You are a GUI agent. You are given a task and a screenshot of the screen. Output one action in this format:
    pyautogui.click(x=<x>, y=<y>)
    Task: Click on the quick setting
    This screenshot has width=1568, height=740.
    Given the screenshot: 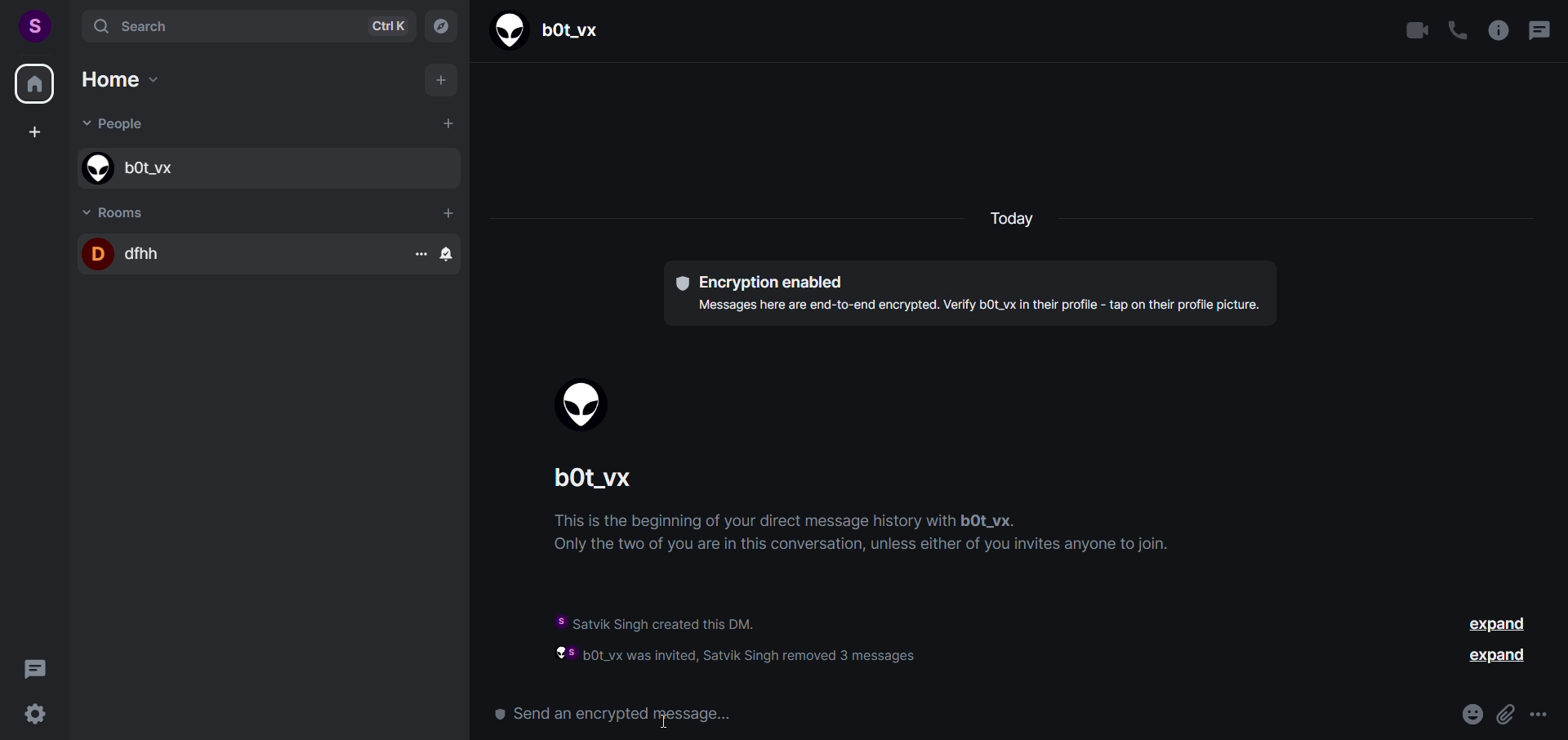 What is the action you would take?
    pyautogui.click(x=34, y=714)
    